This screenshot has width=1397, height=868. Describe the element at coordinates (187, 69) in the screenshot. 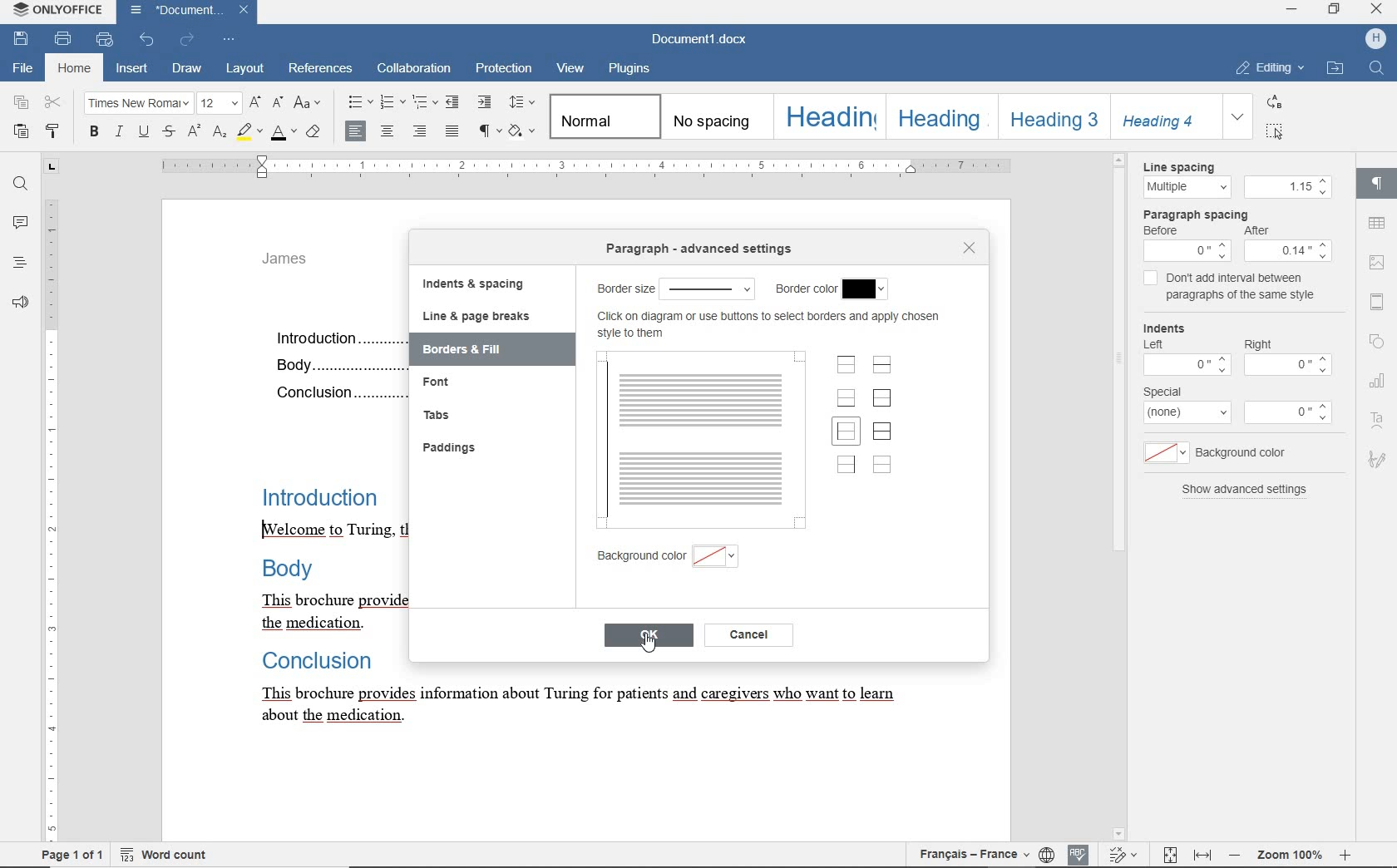

I see `draw` at that location.